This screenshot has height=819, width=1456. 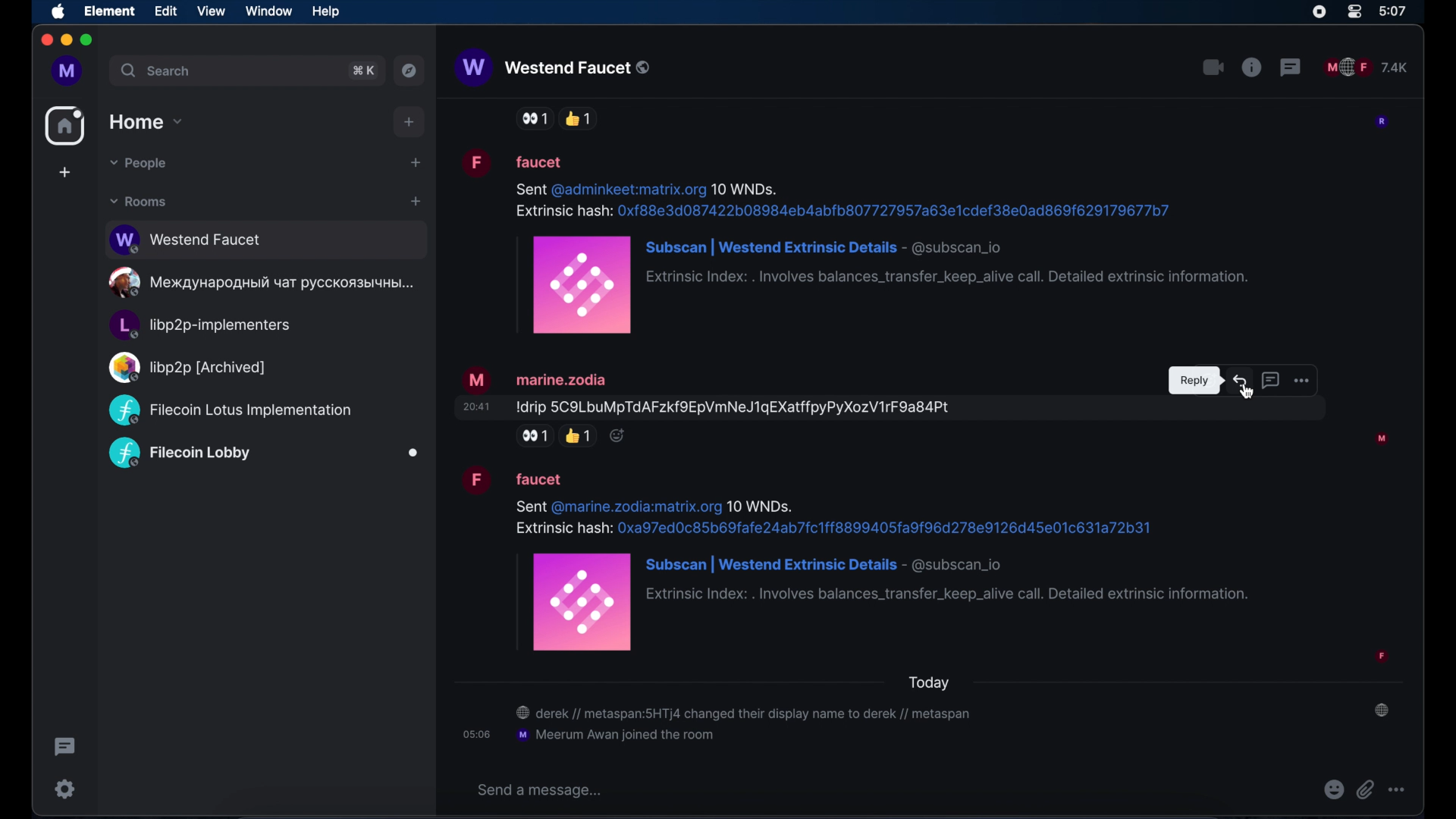 I want to click on side eye reaction, so click(x=534, y=119).